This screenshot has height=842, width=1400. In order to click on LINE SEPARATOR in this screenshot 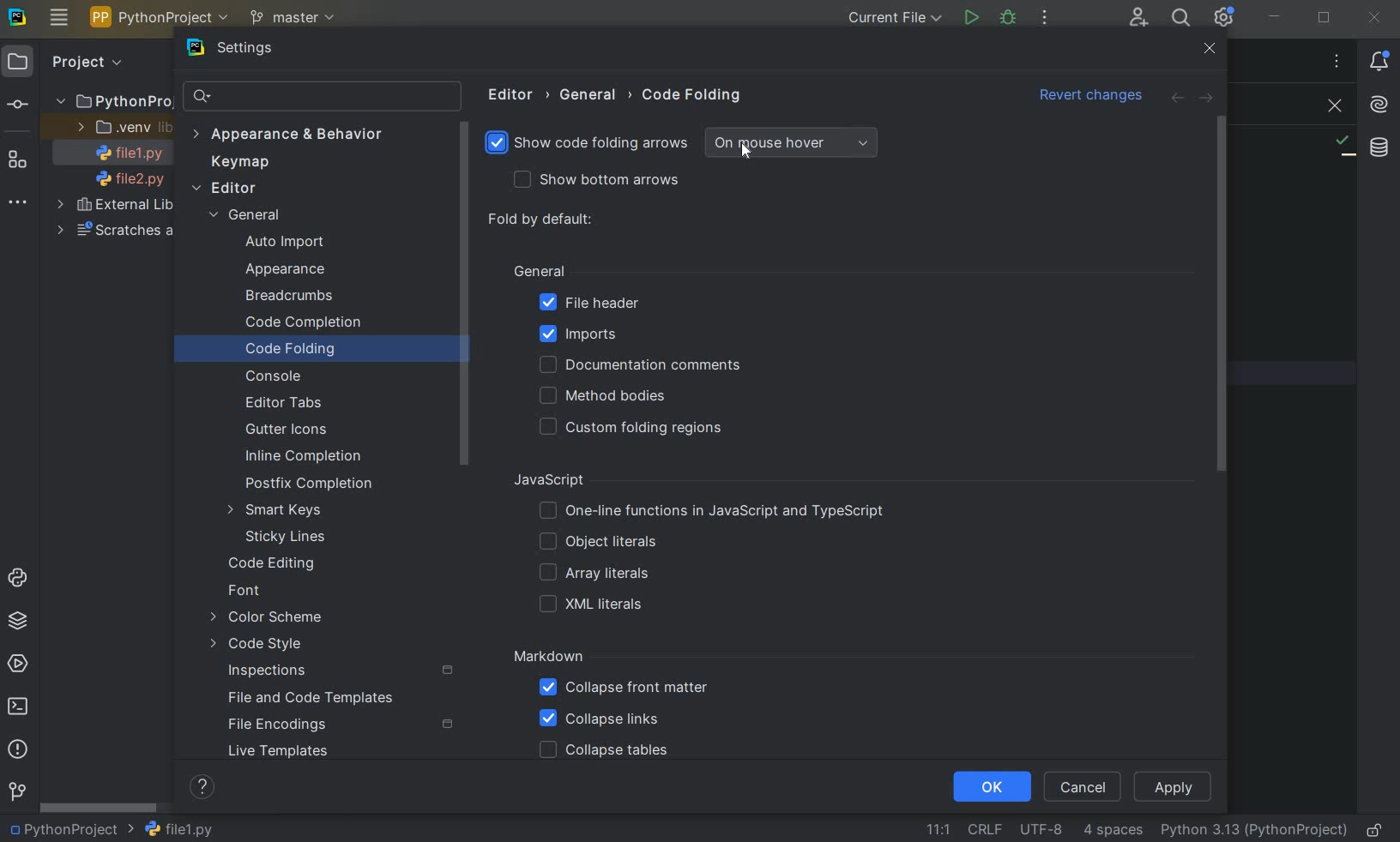, I will do `click(984, 828)`.